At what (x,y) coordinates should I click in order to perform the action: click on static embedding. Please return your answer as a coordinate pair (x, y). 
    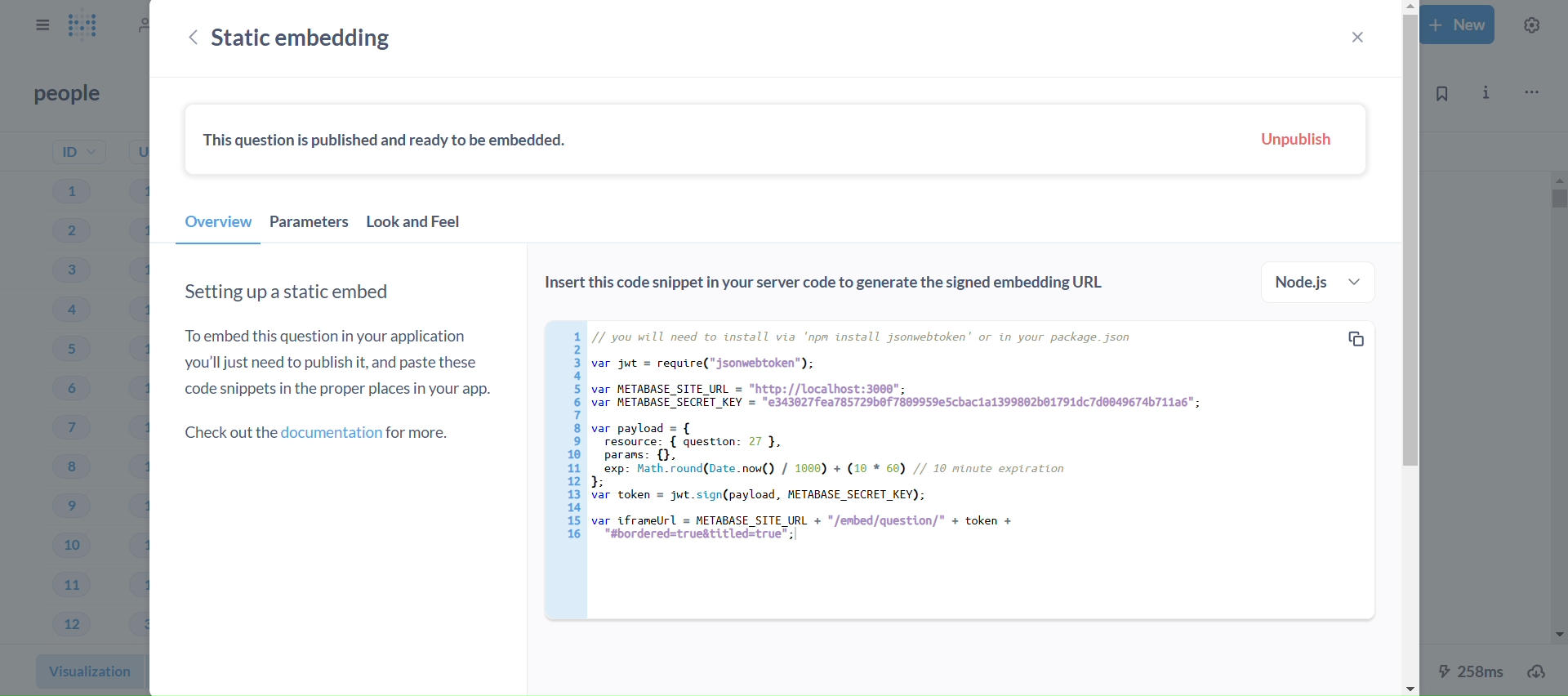
    Looking at the image, I should click on (329, 38).